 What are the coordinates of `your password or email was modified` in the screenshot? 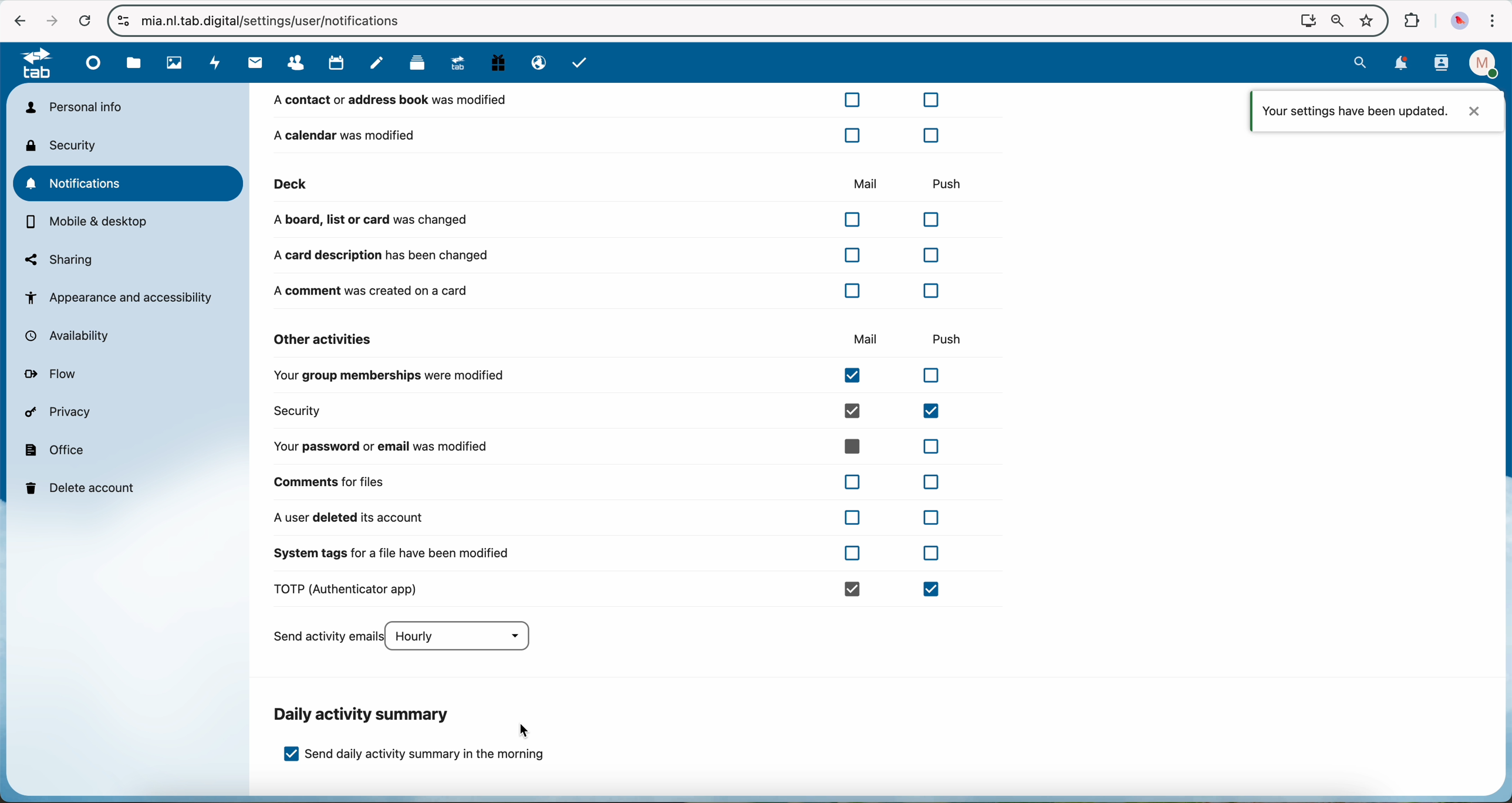 It's located at (612, 446).